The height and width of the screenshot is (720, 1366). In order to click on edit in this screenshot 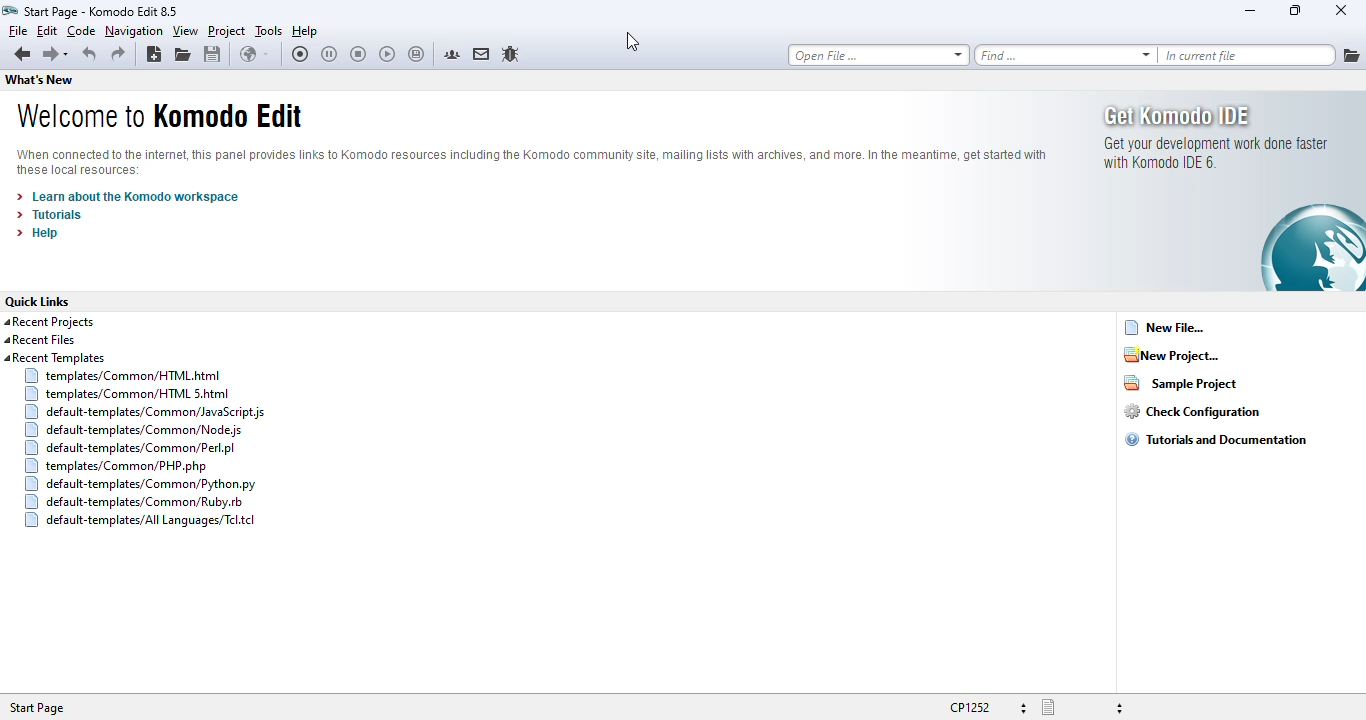, I will do `click(46, 30)`.